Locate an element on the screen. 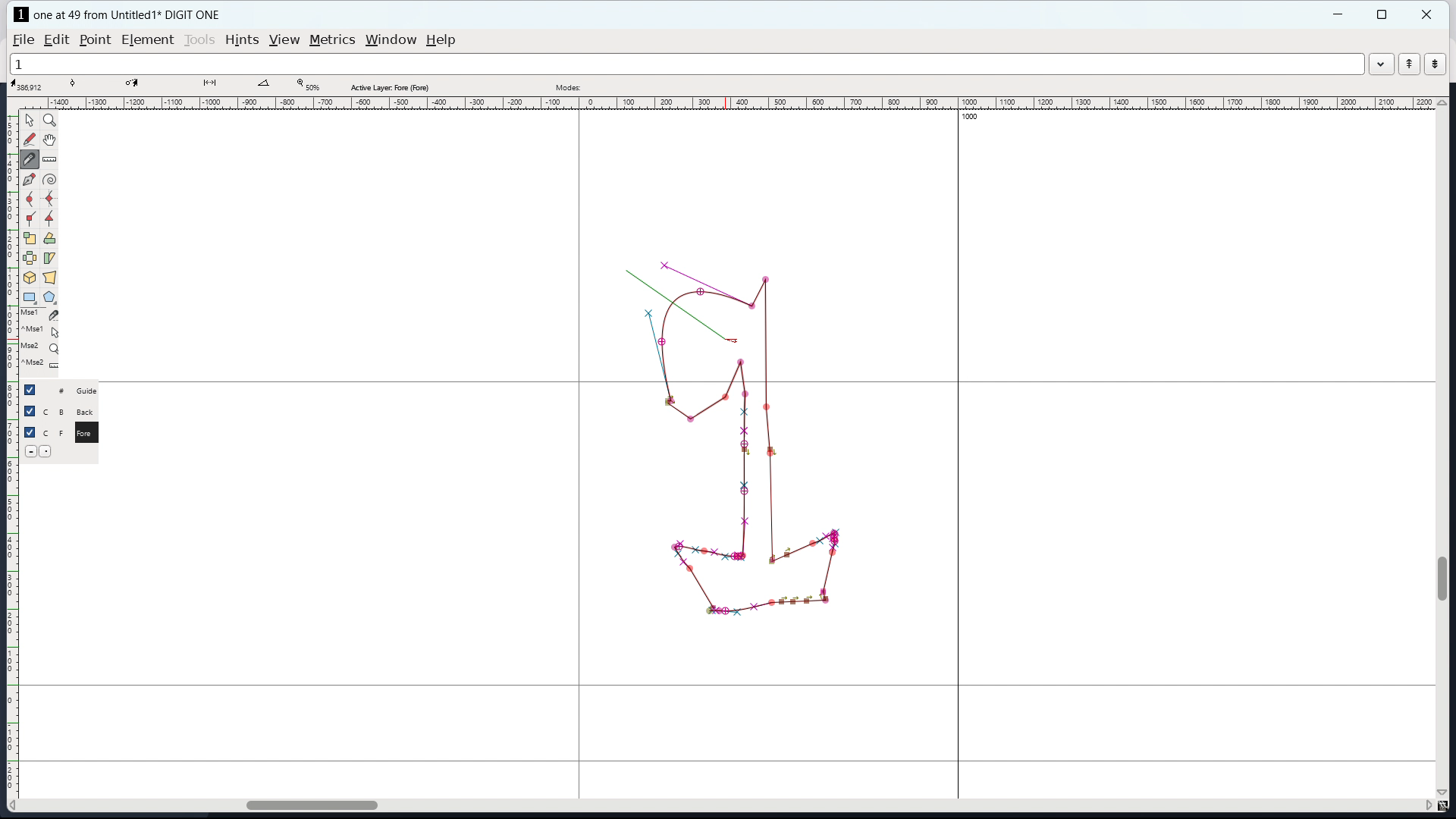 This screenshot has height=819, width=1456. add a tangent point is located at coordinates (51, 218).